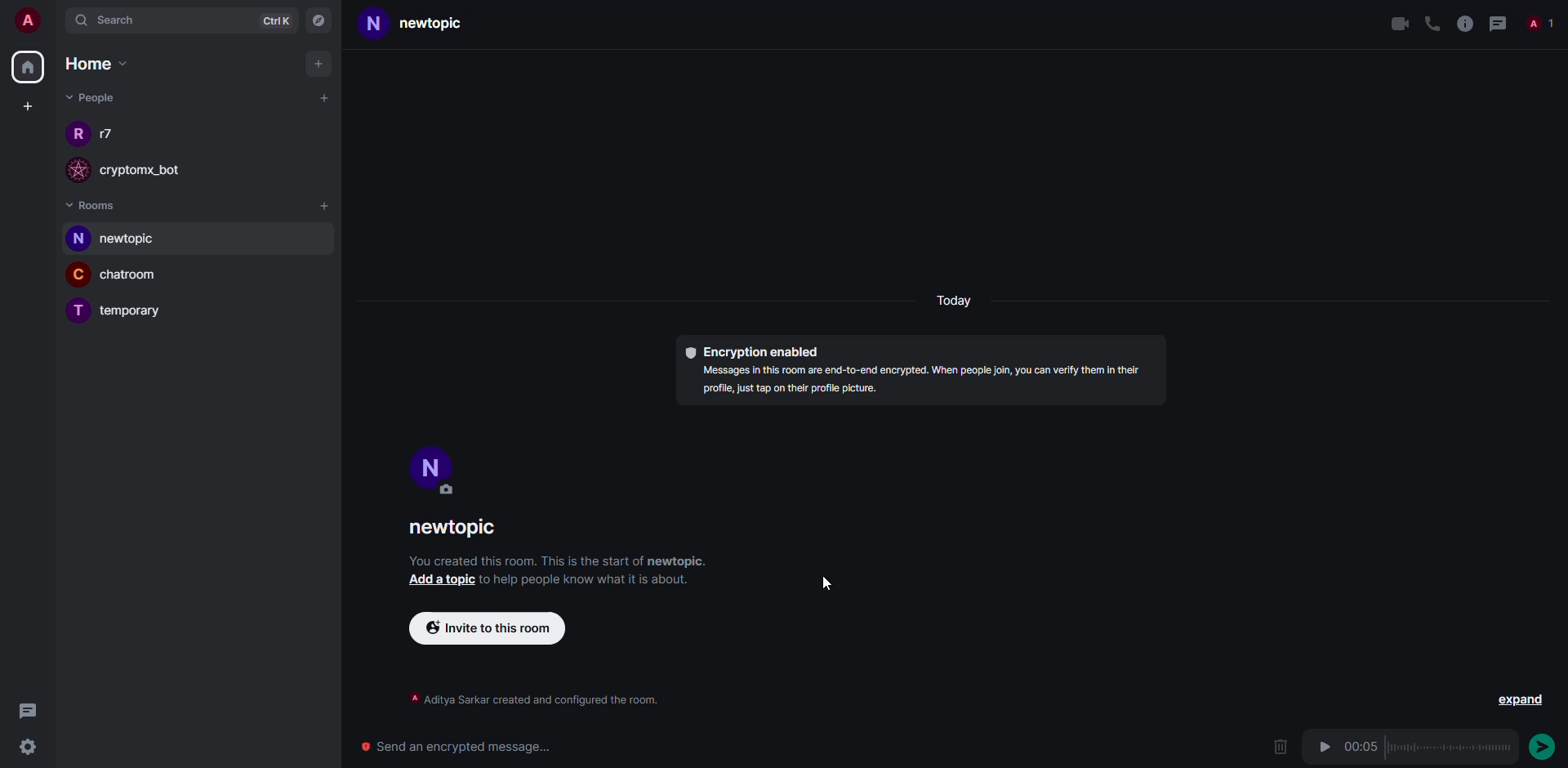 This screenshot has height=768, width=1568. What do you see at coordinates (491, 627) in the screenshot?
I see `invite` at bounding box center [491, 627].